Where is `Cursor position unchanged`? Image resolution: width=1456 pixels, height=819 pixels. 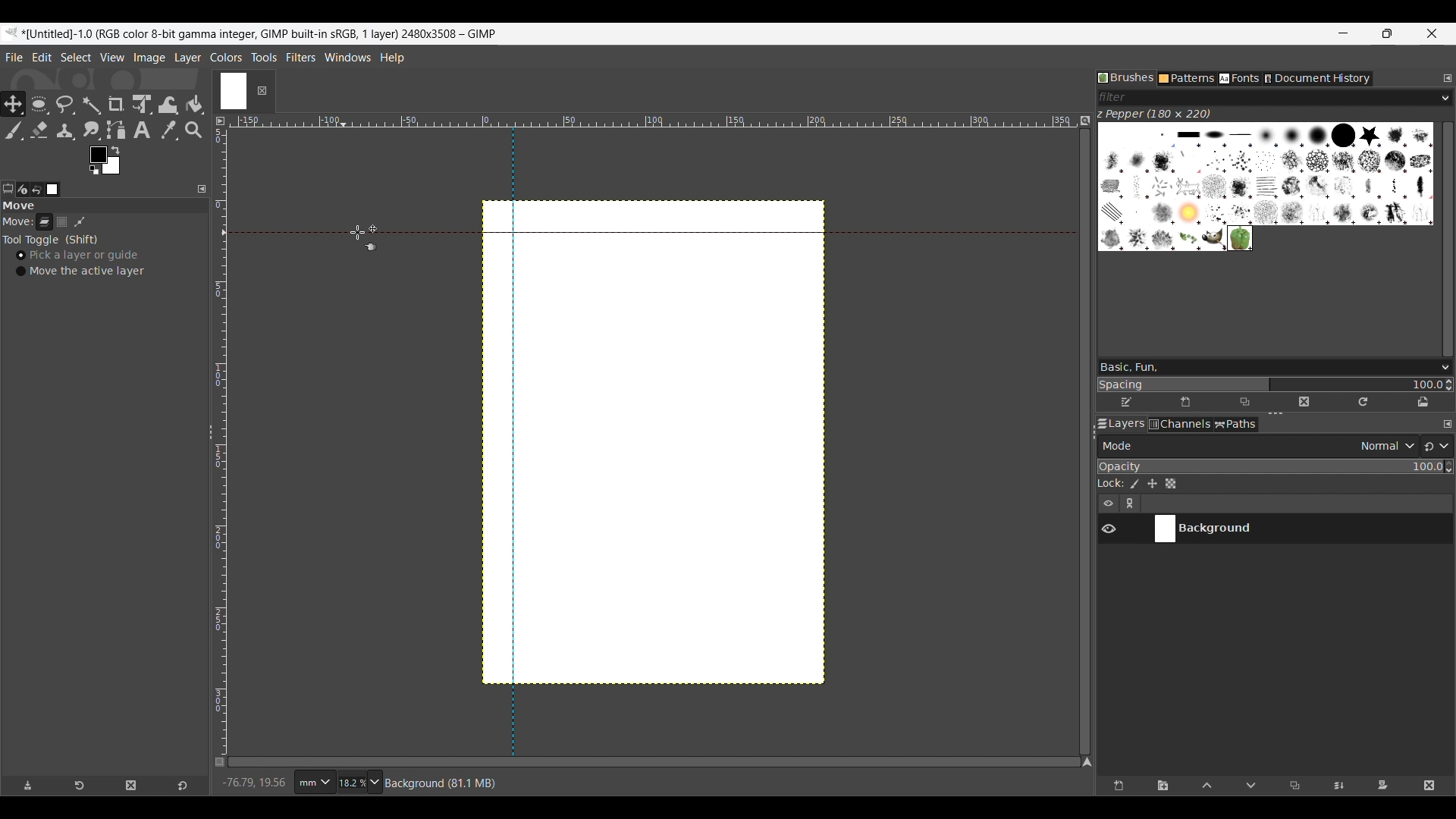
Cursor position unchanged is located at coordinates (362, 239).